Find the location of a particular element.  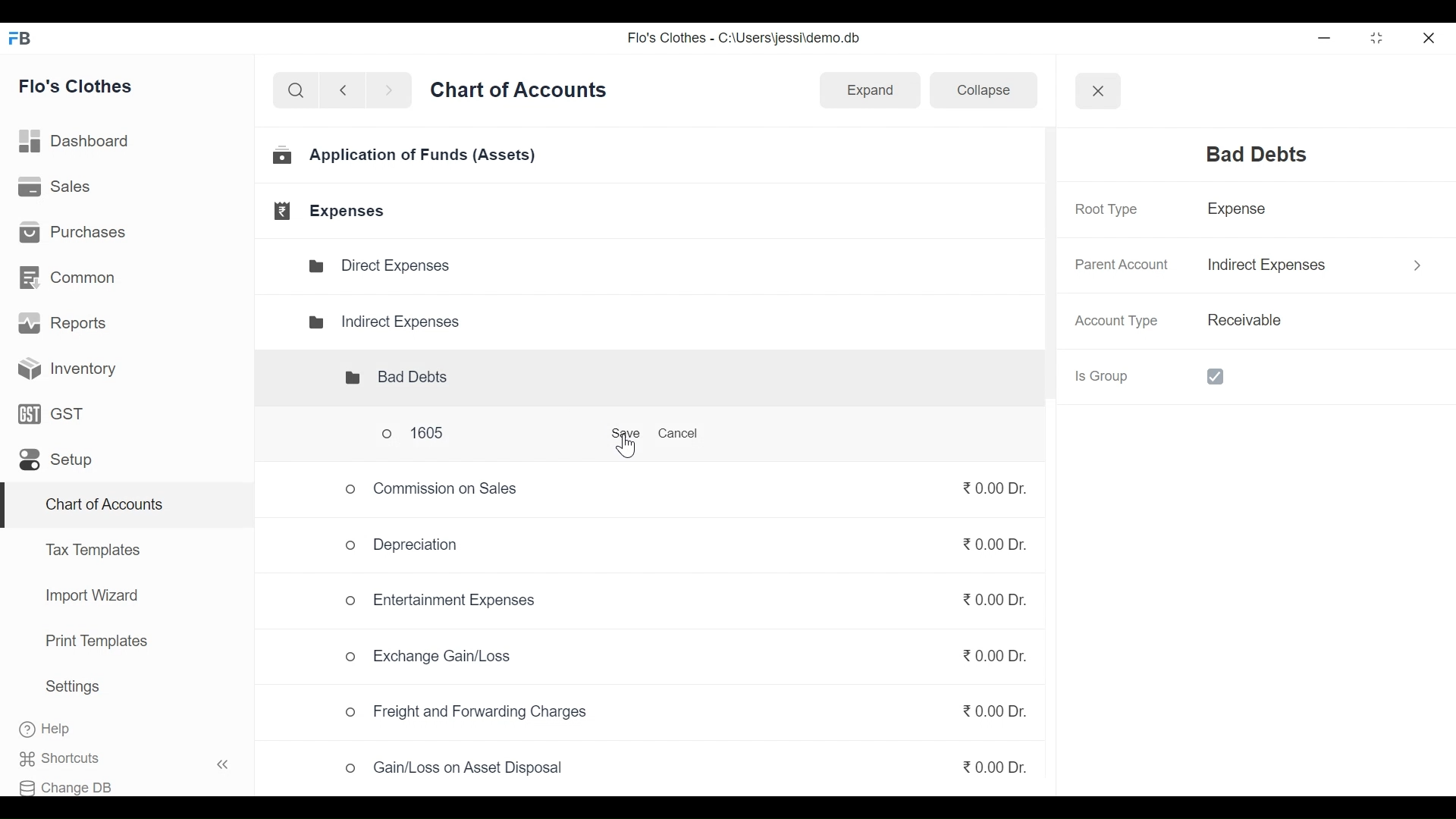

Cursor is located at coordinates (625, 448).